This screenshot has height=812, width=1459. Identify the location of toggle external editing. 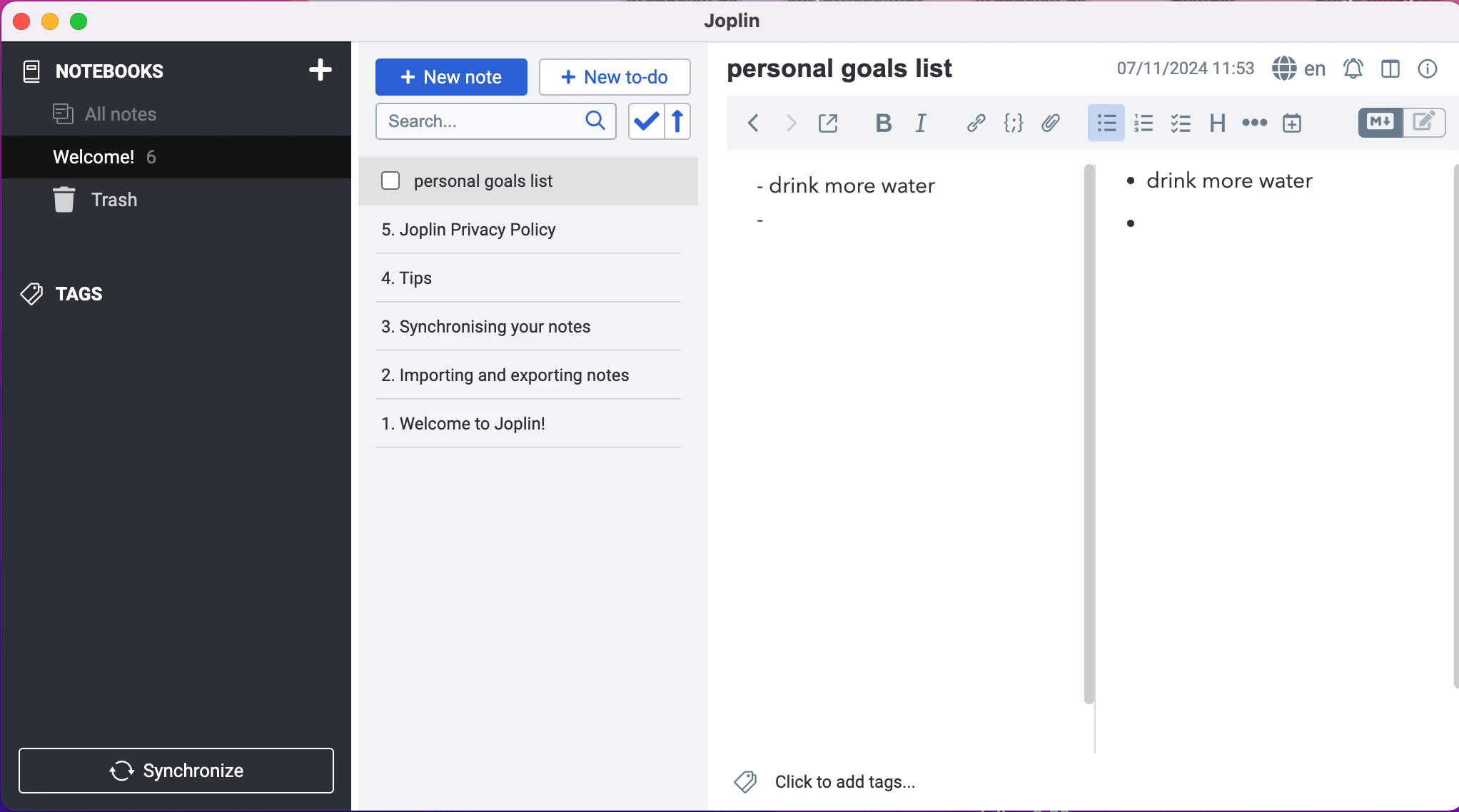
(829, 126).